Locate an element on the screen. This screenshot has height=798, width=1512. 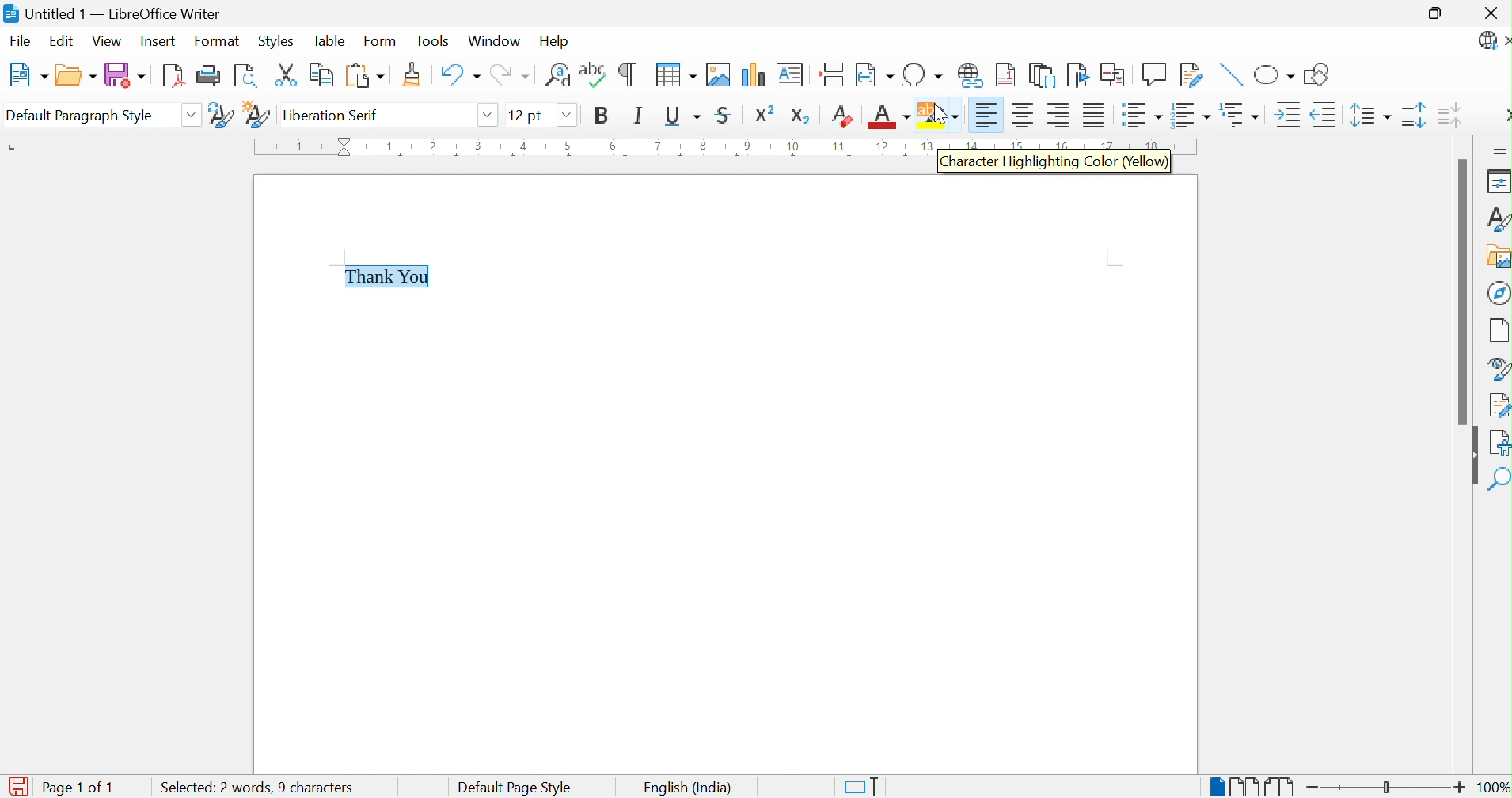
Character Highlighting Color (Yellow) is located at coordinates (1055, 169).